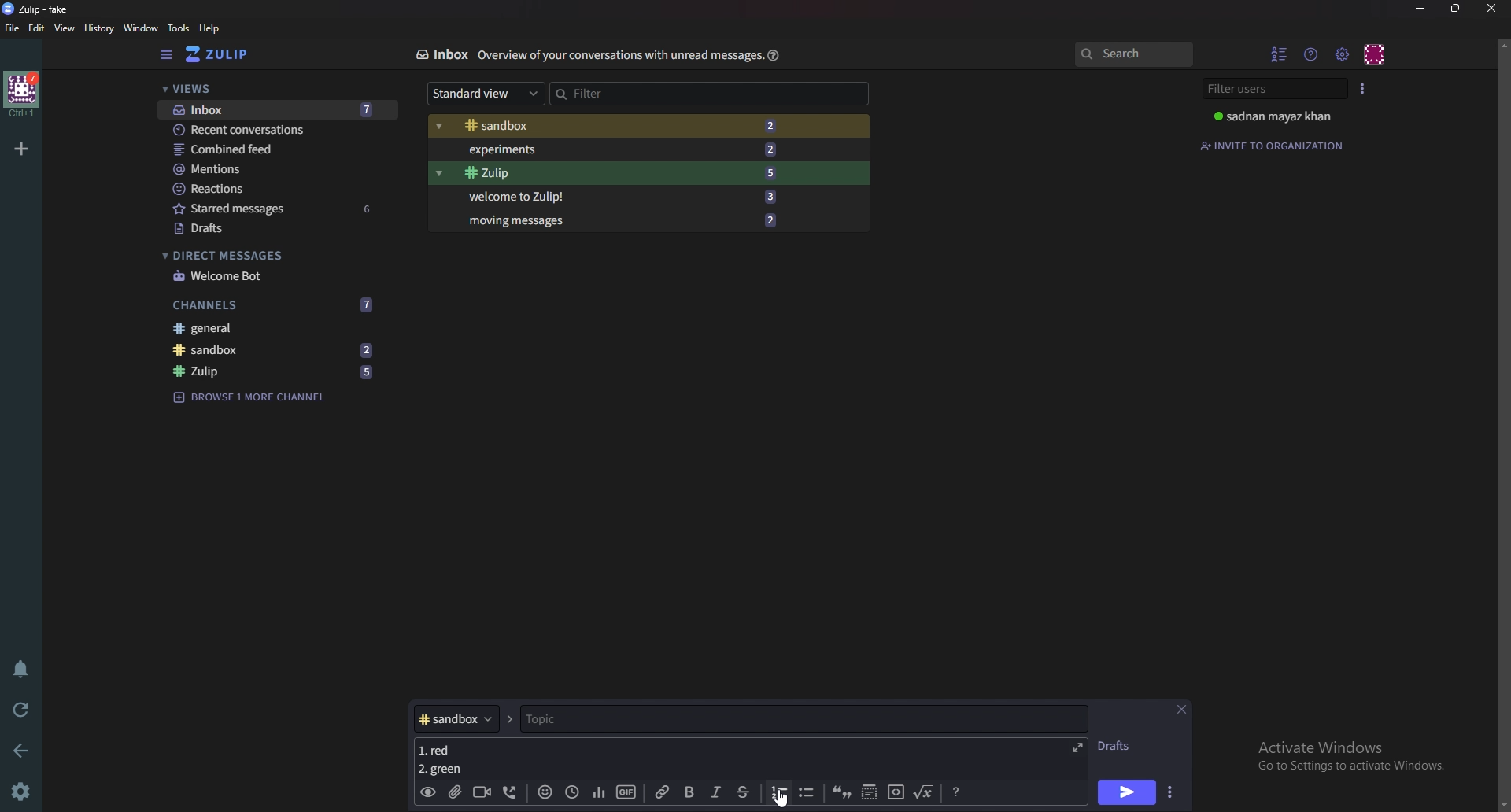  I want to click on Preview, so click(428, 792).